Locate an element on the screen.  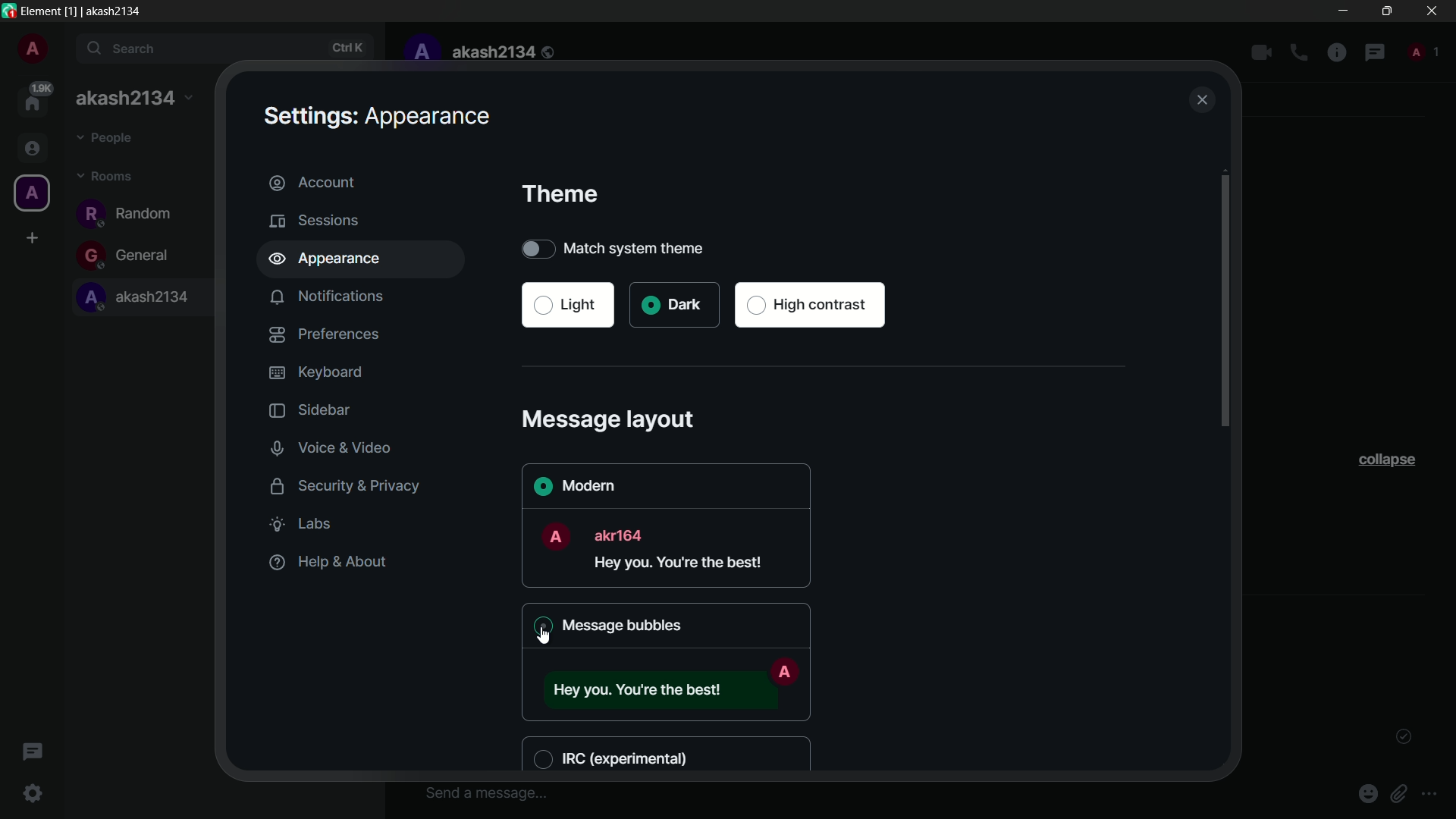
random channel is located at coordinates (129, 213).